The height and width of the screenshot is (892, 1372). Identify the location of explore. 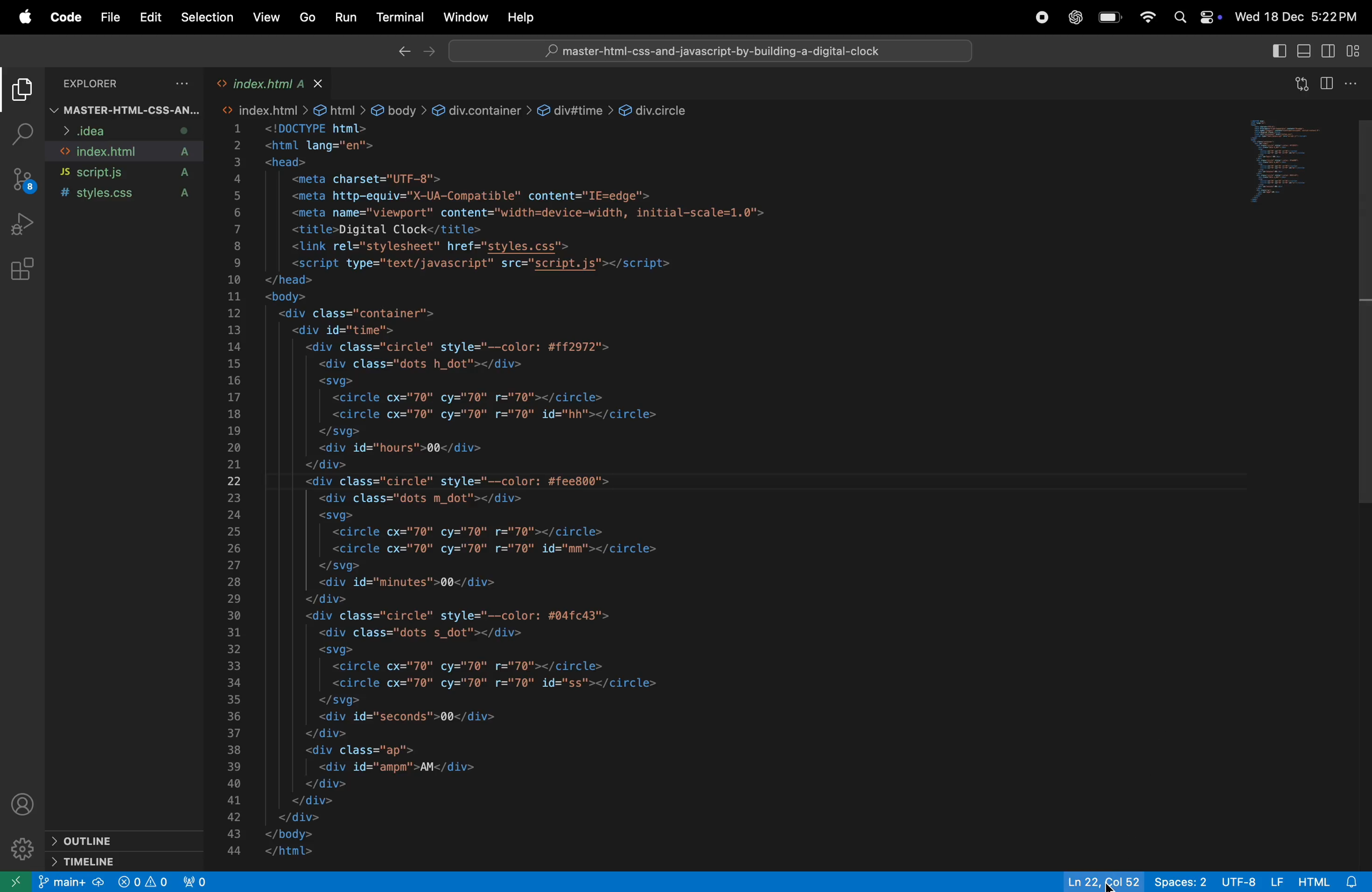
(24, 93).